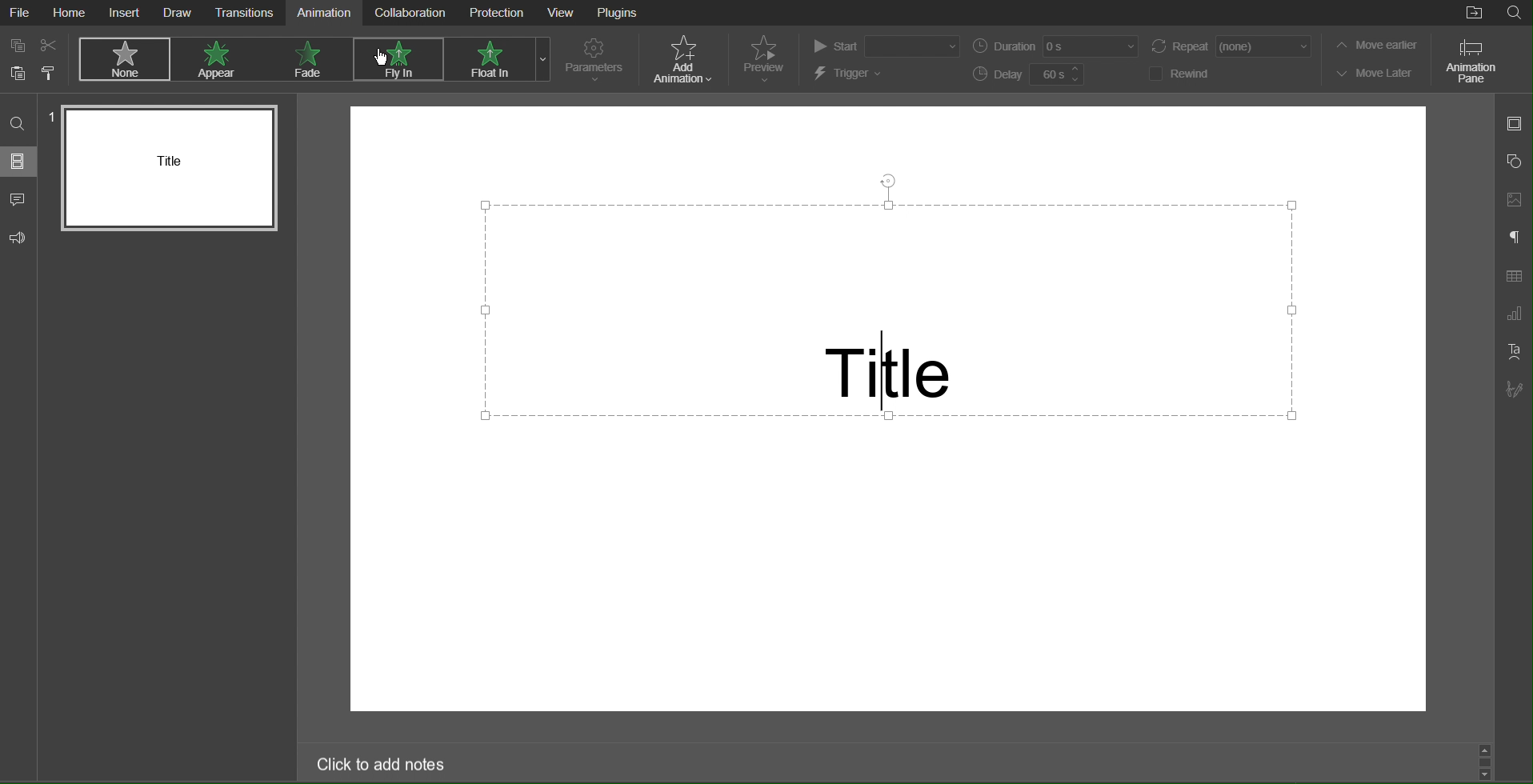 The image size is (1533, 784). I want to click on cursor, so click(387, 57).